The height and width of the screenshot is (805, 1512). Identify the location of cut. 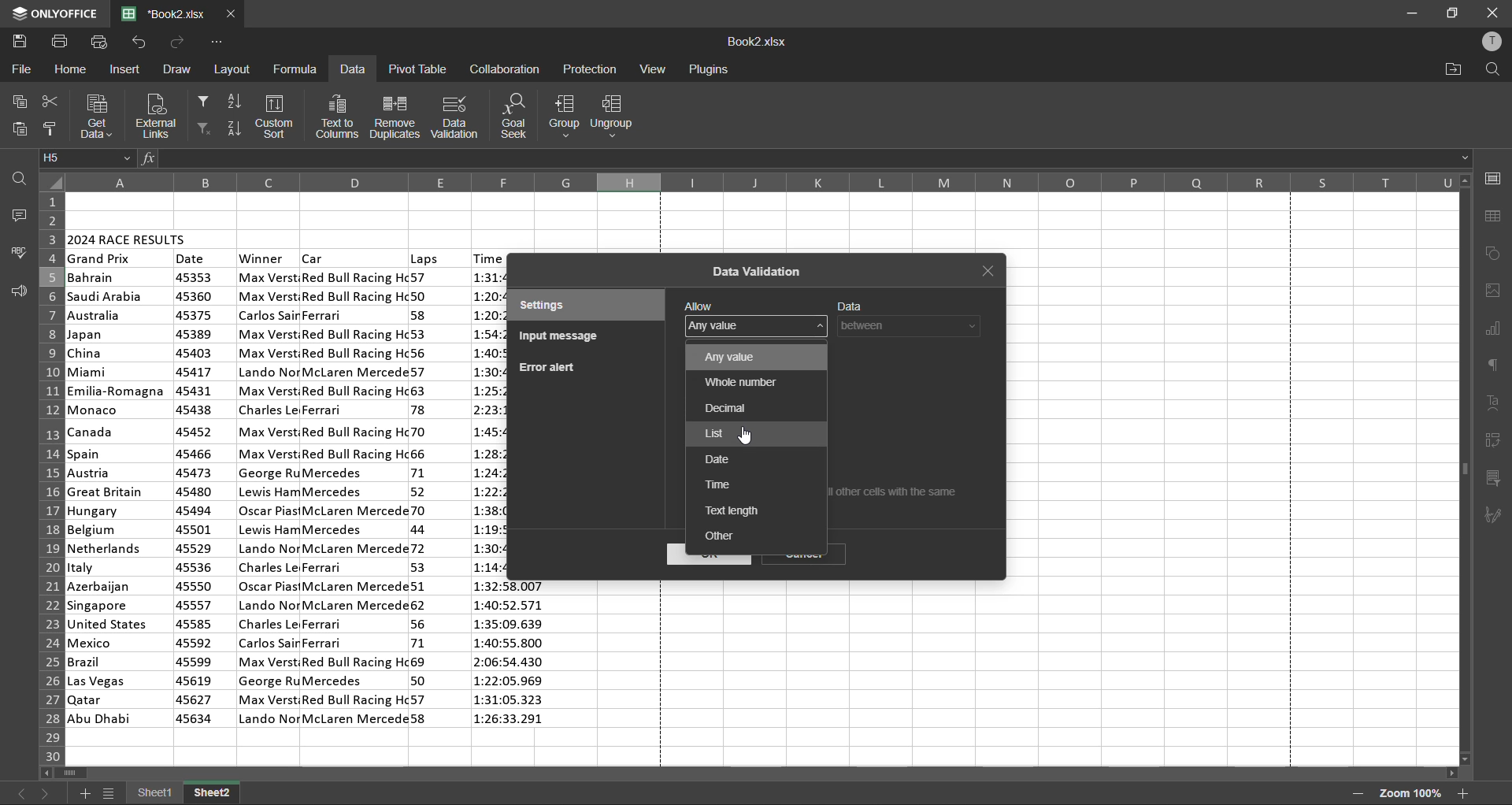
(47, 104).